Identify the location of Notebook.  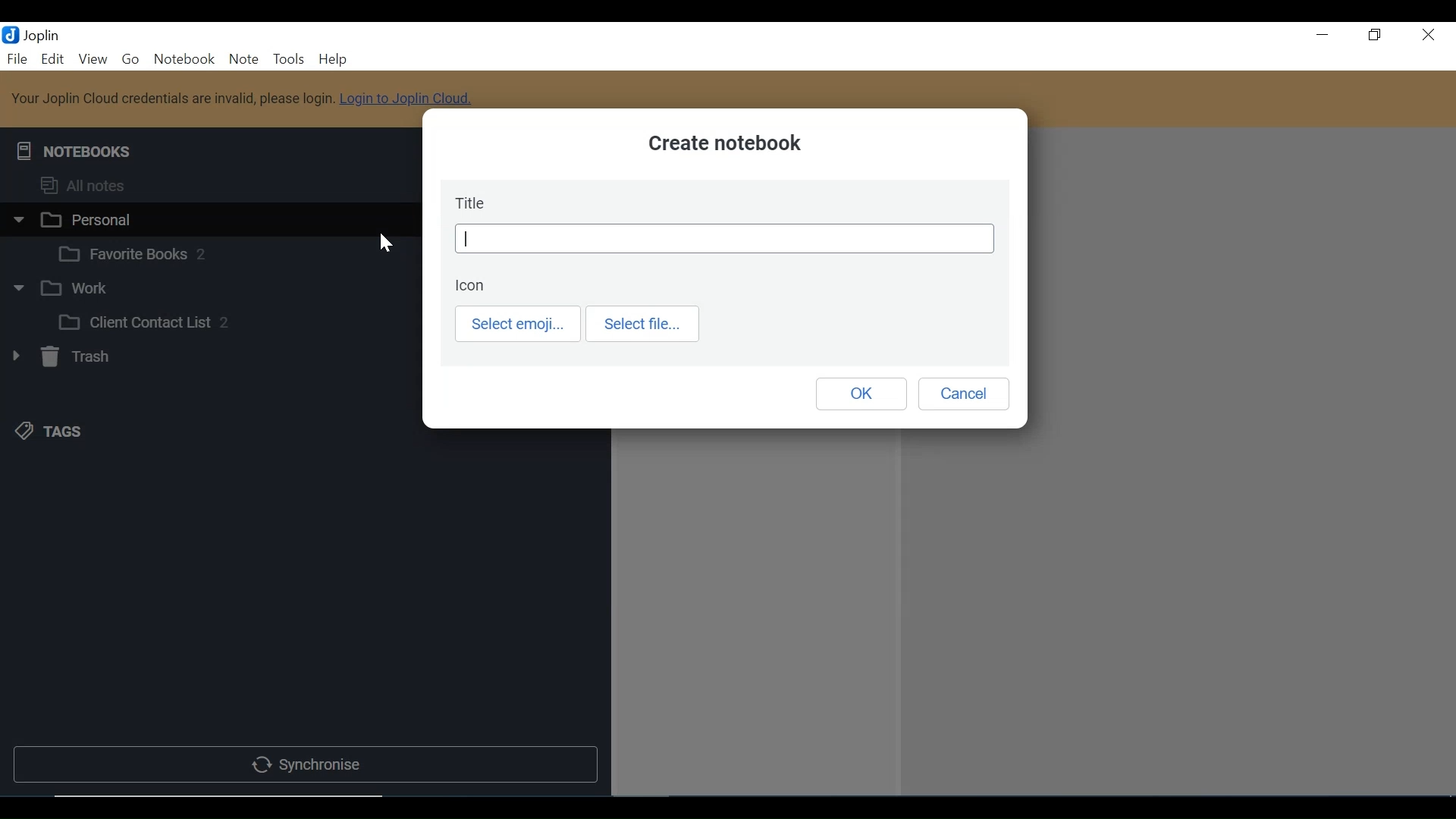
(206, 290).